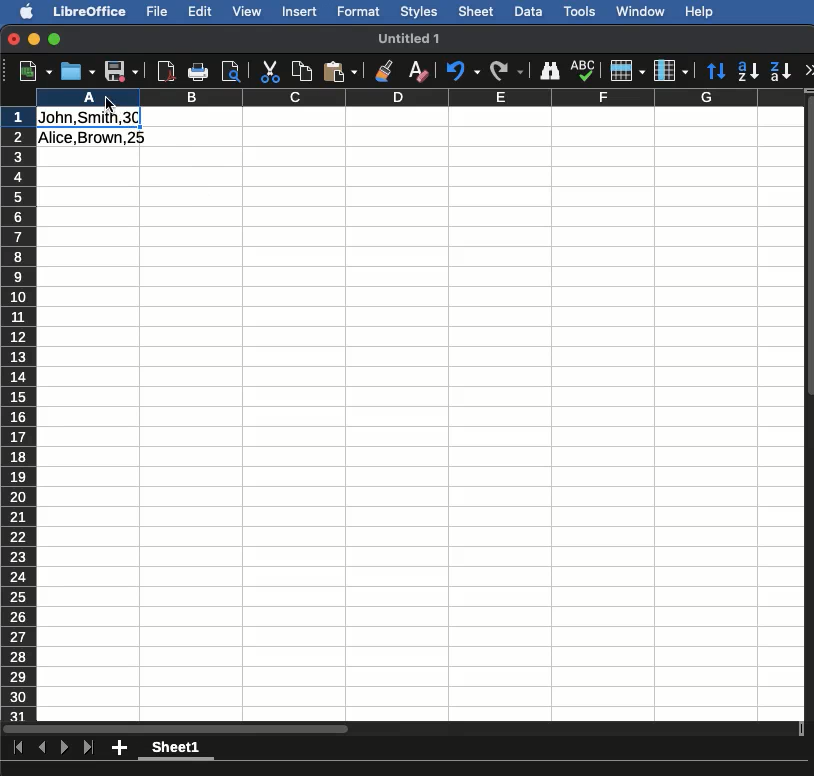  What do you see at coordinates (29, 11) in the screenshot?
I see `Apple logo` at bounding box center [29, 11].